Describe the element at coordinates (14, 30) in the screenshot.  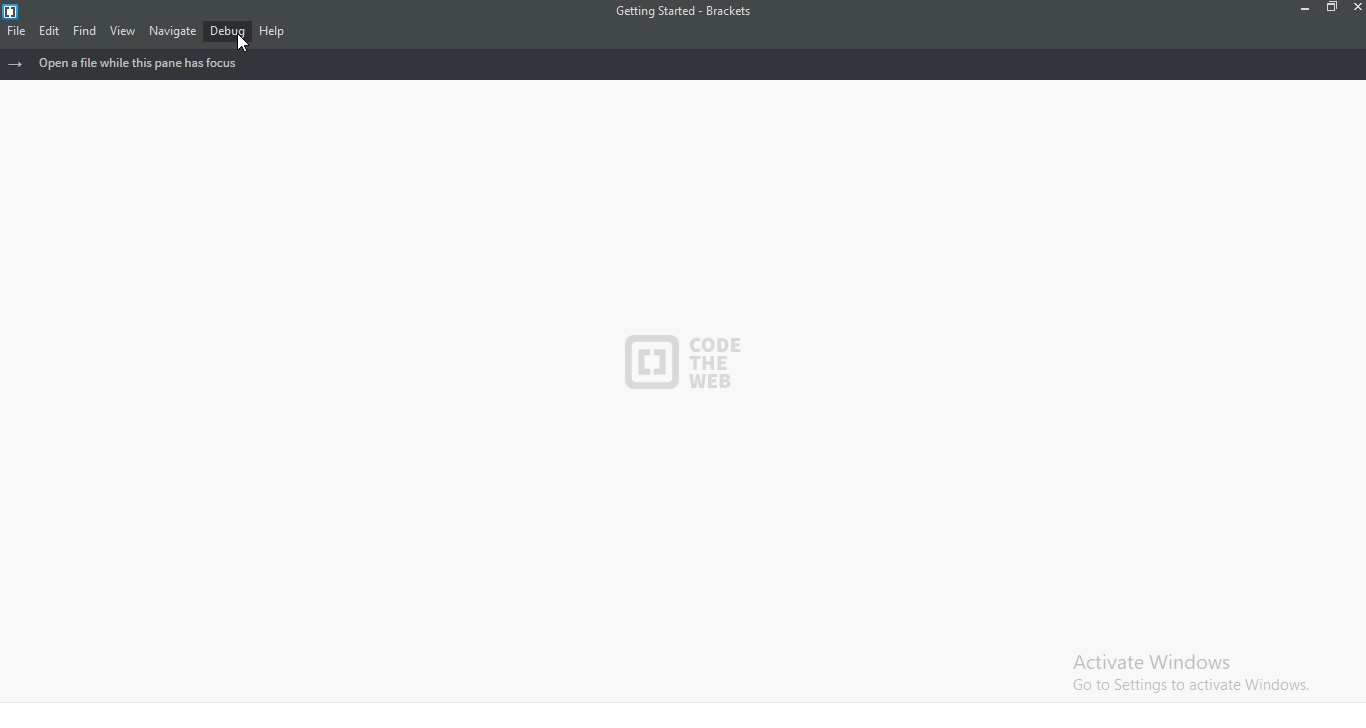
I see `file` at that location.